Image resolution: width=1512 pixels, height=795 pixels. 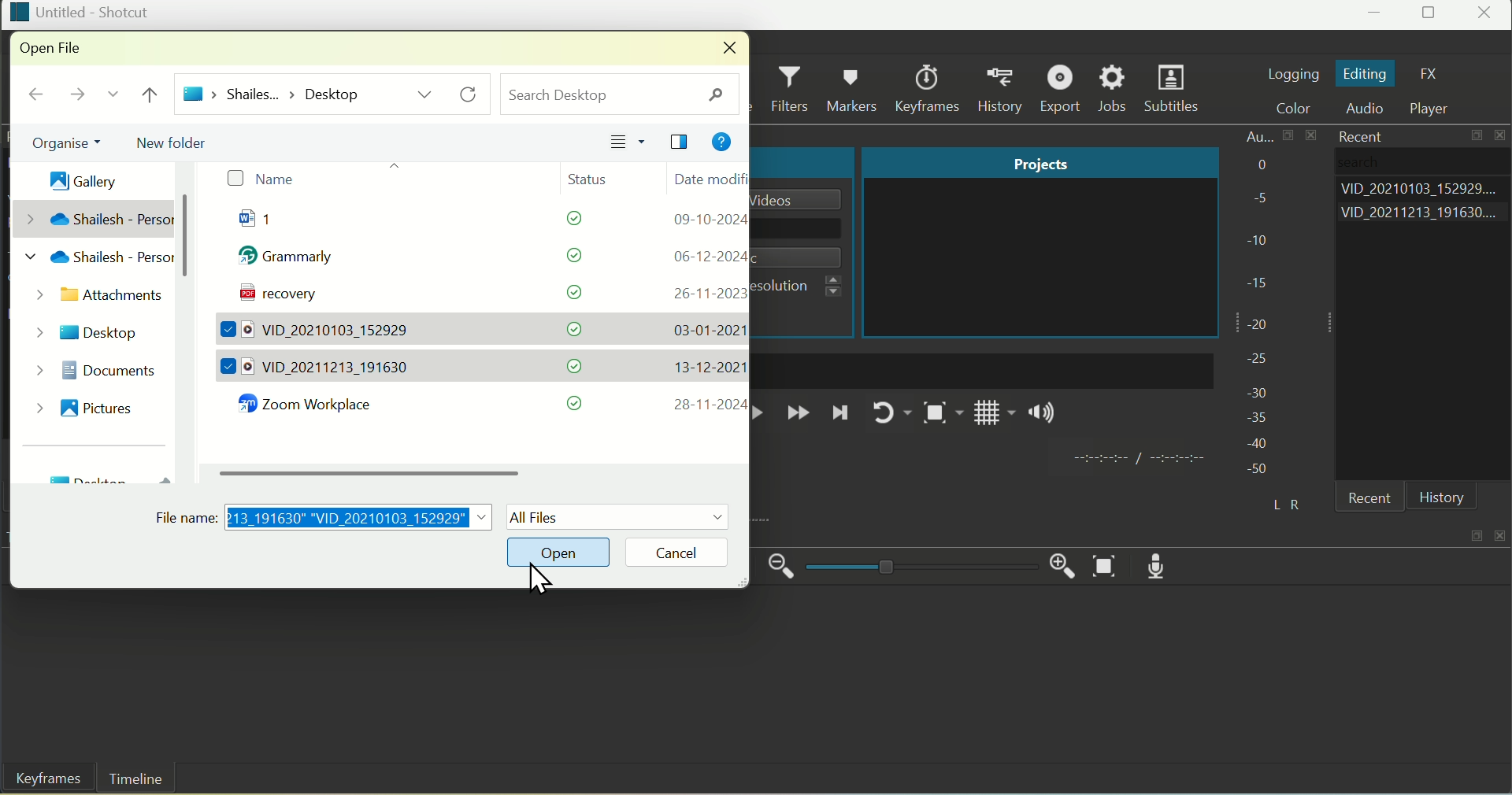 I want to click on Grammarly, so click(x=294, y=260).